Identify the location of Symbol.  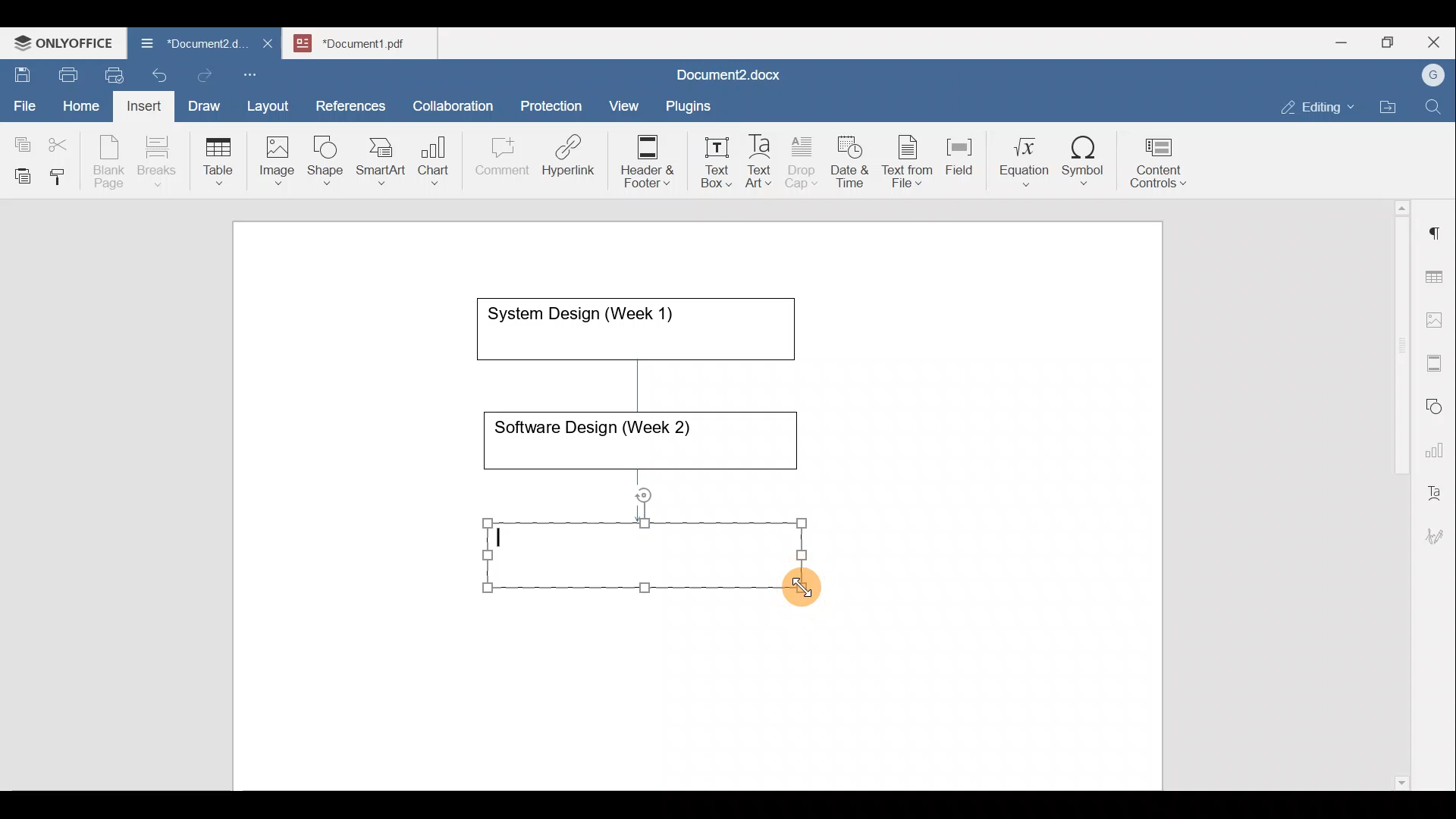
(1084, 165).